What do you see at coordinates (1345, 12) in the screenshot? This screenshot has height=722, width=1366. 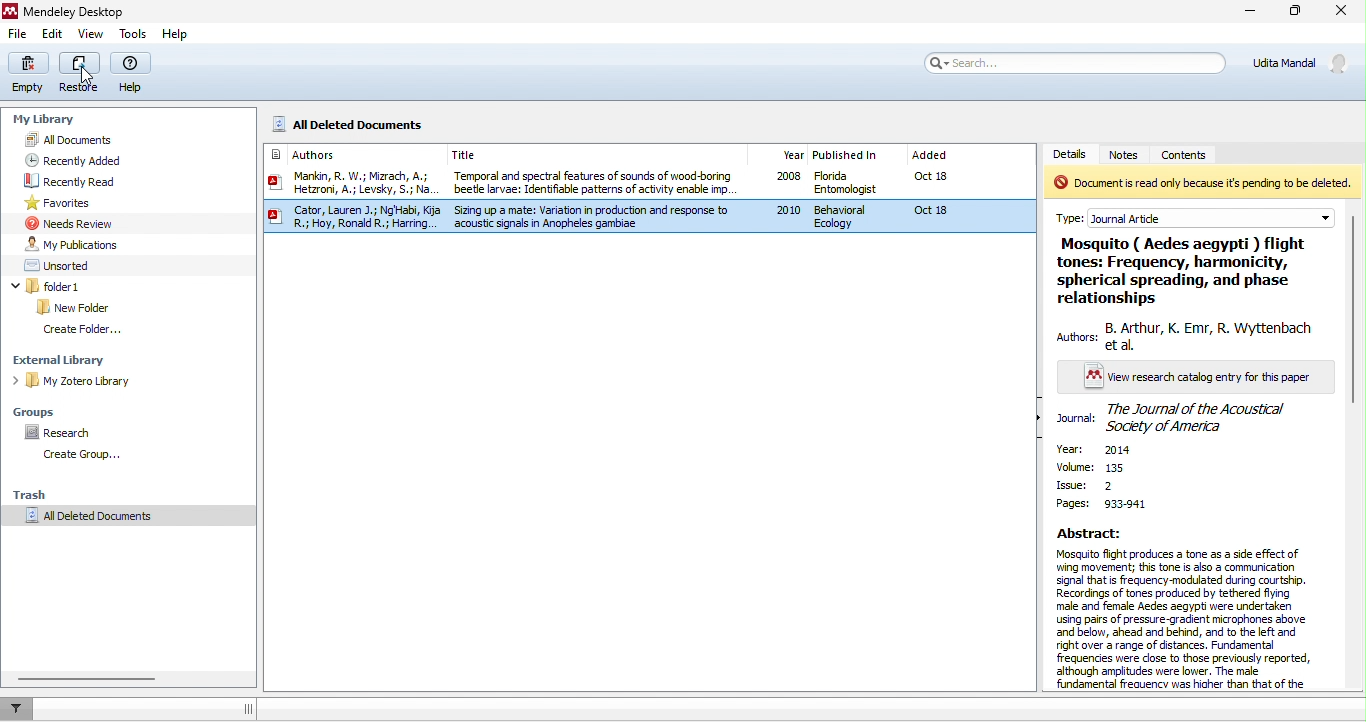 I see `close` at bounding box center [1345, 12].